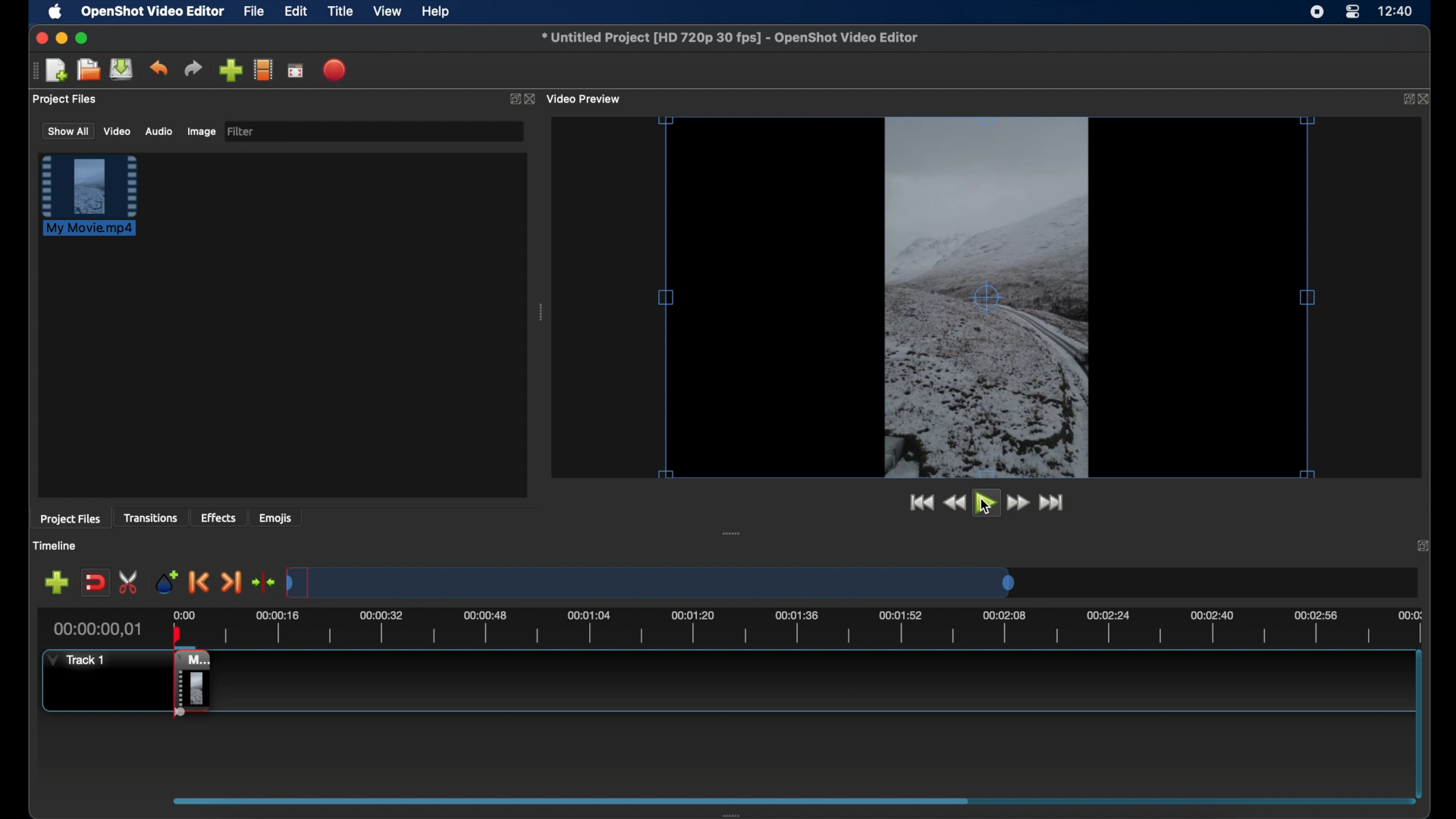 This screenshot has height=819, width=1456. What do you see at coordinates (56, 583) in the screenshot?
I see `add track` at bounding box center [56, 583].